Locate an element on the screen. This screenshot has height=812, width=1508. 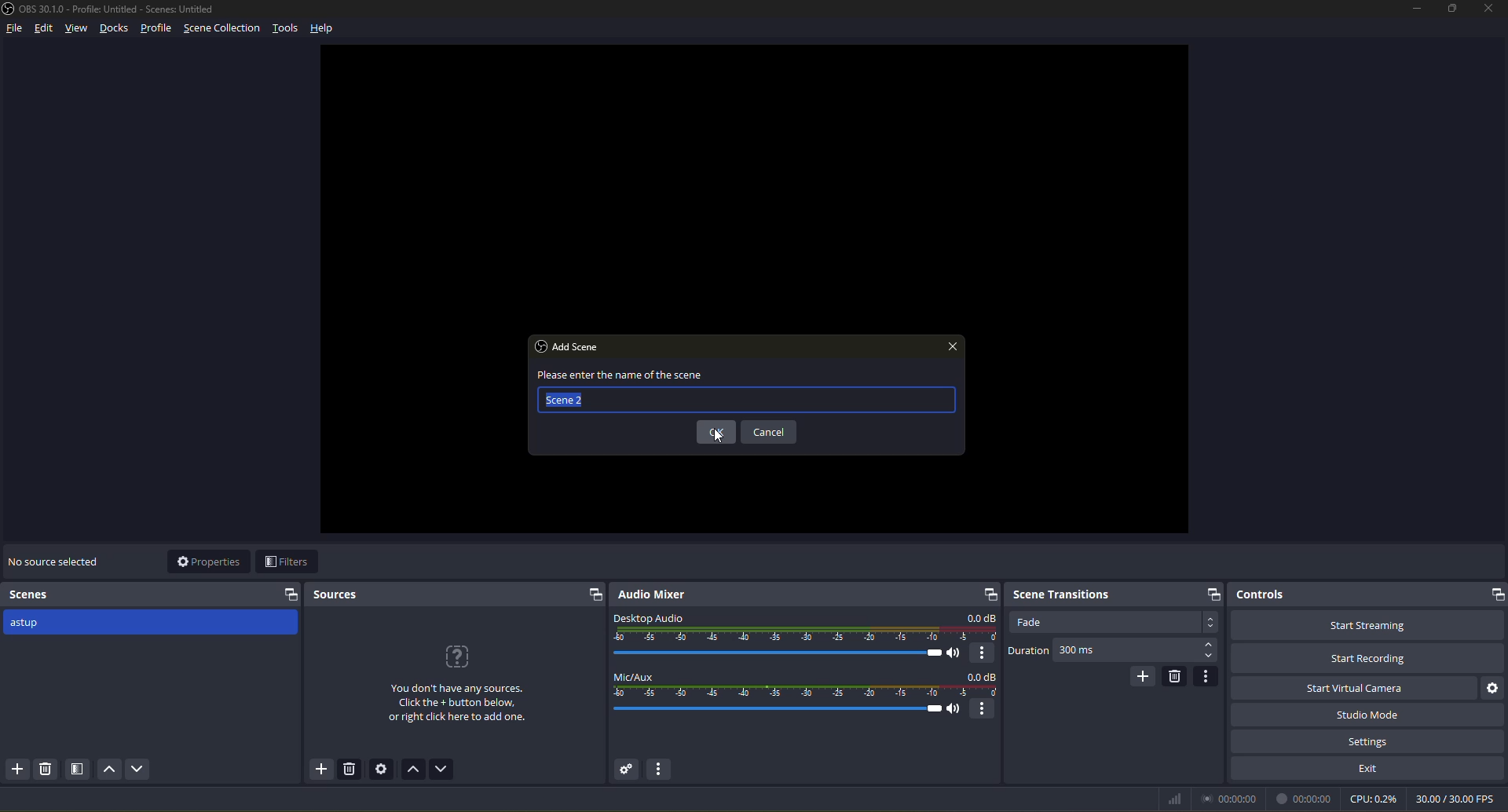
no source selected is located at coordinates (57, 560).